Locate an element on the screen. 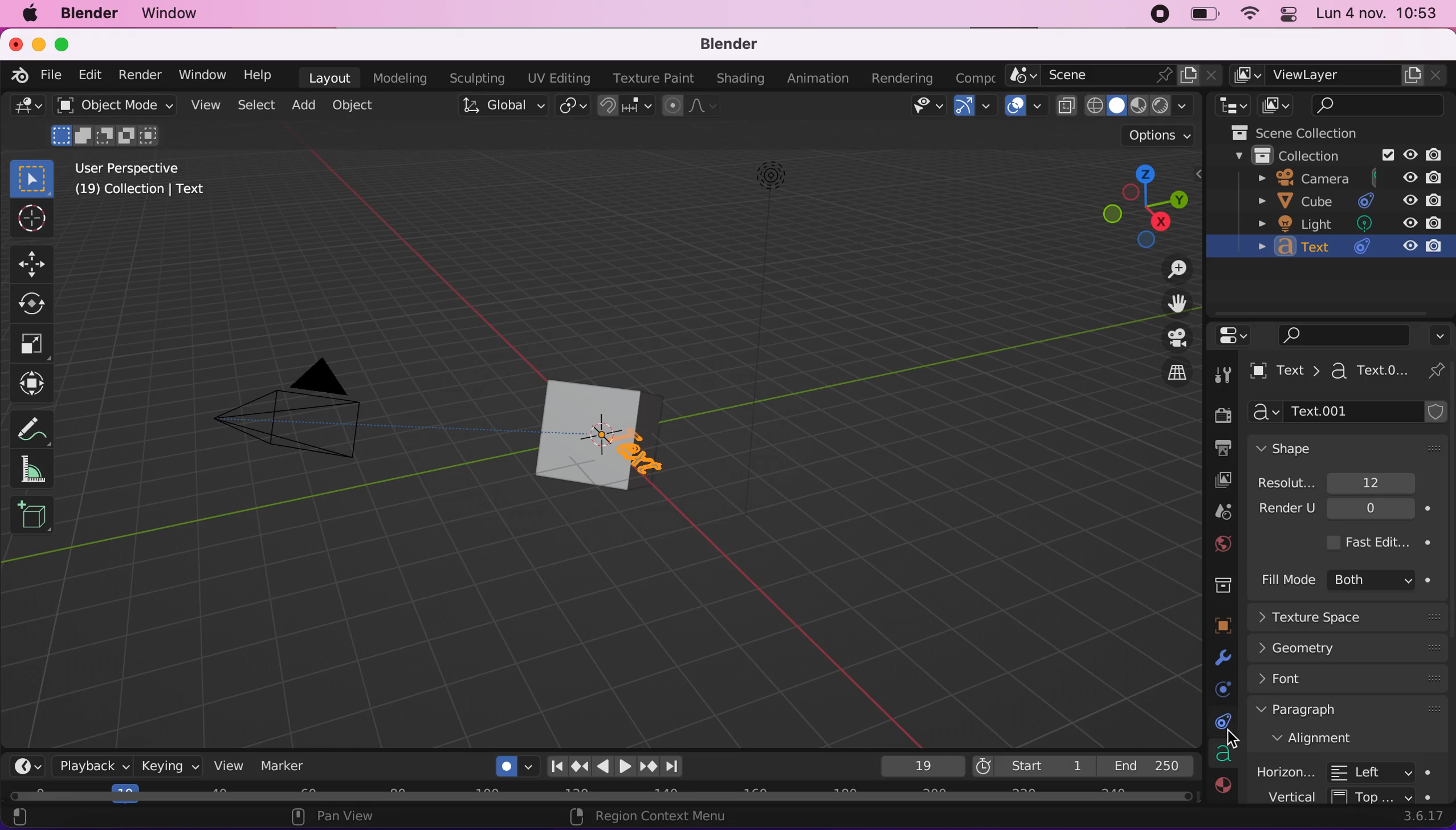  material is located at coordinates (1223, 788).